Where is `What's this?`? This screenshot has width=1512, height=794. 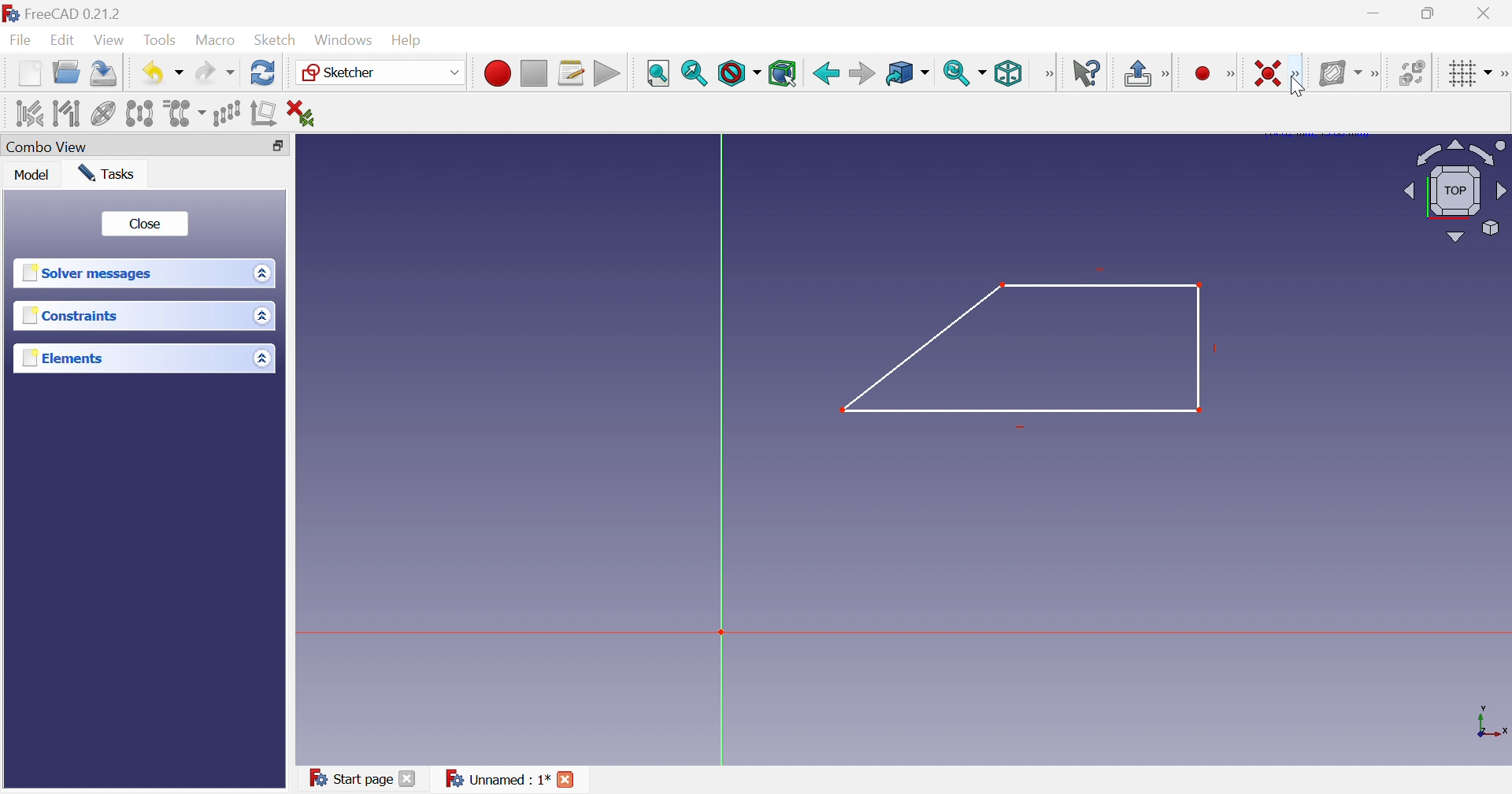 What's this? is located at coordinates (1086, 72).